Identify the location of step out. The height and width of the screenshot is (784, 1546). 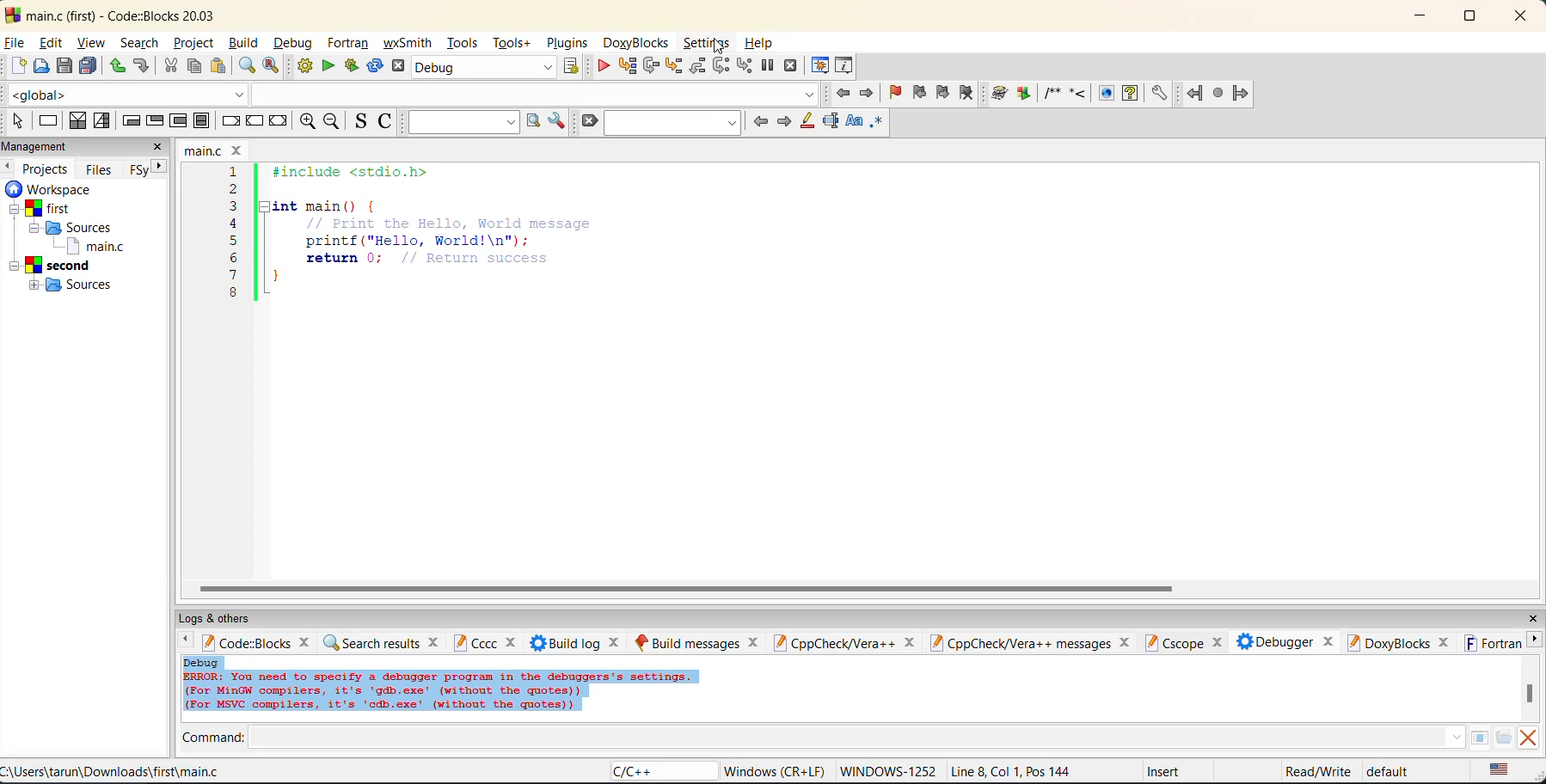
(696, 65).